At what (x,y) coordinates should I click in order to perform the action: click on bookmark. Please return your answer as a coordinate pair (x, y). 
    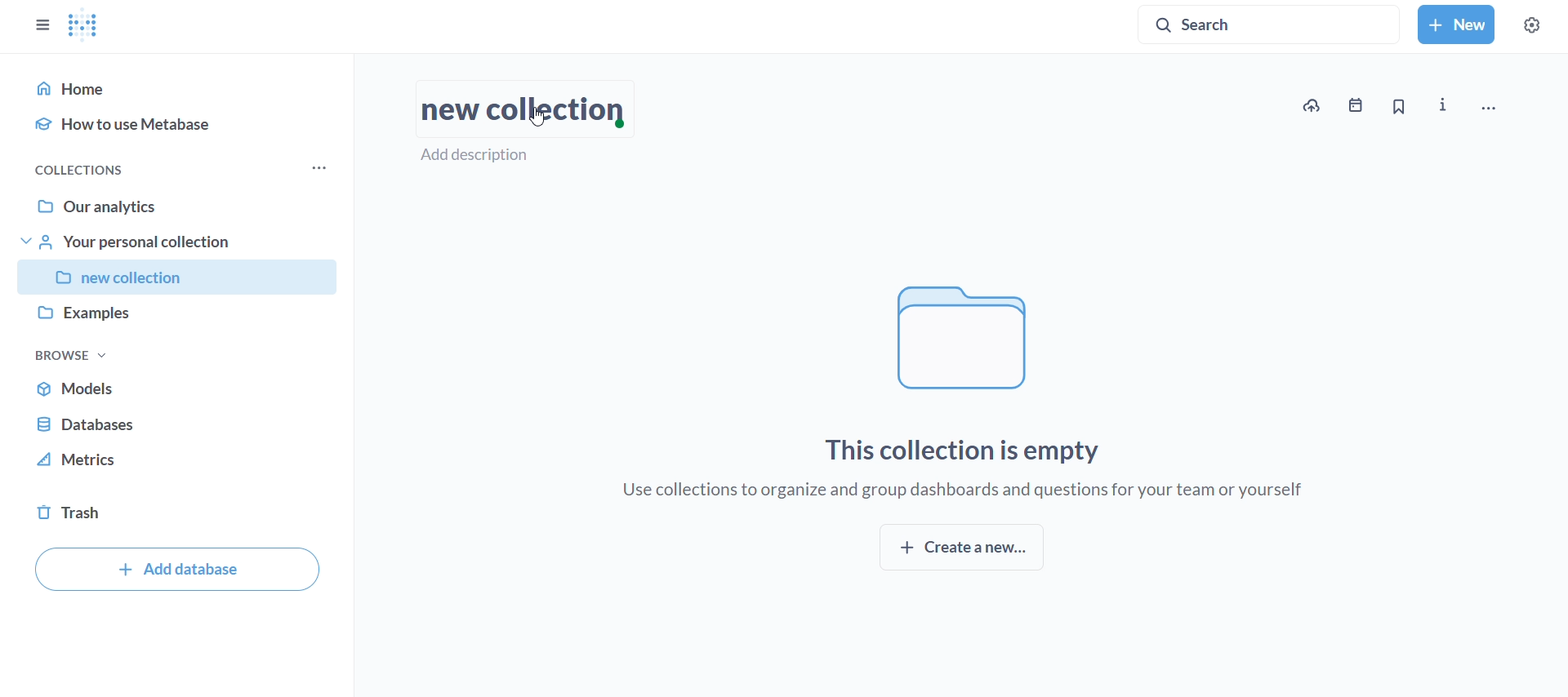
    Looking at the image, I should click on (1399, 108).